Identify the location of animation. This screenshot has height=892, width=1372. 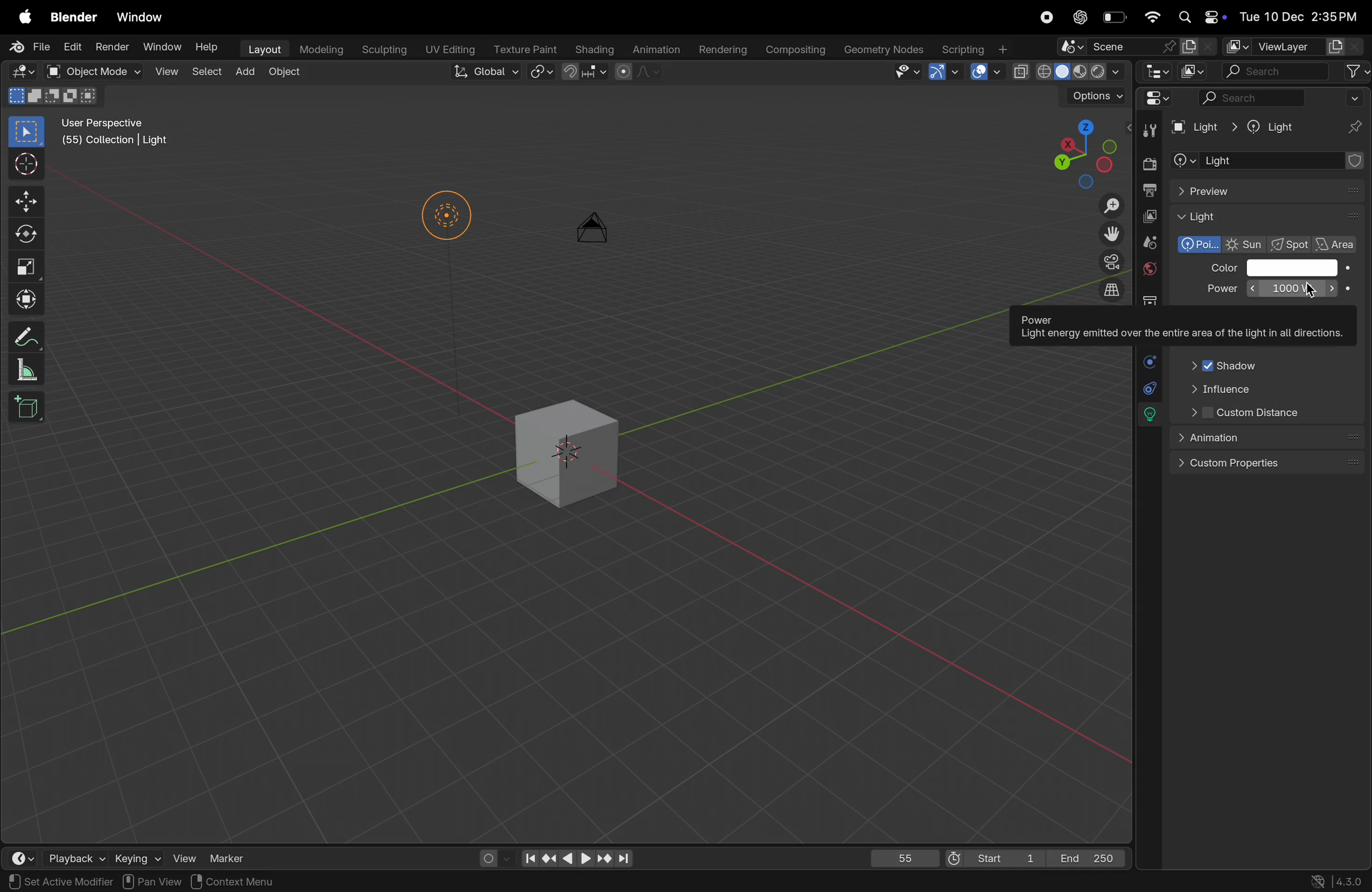
(656, 49).